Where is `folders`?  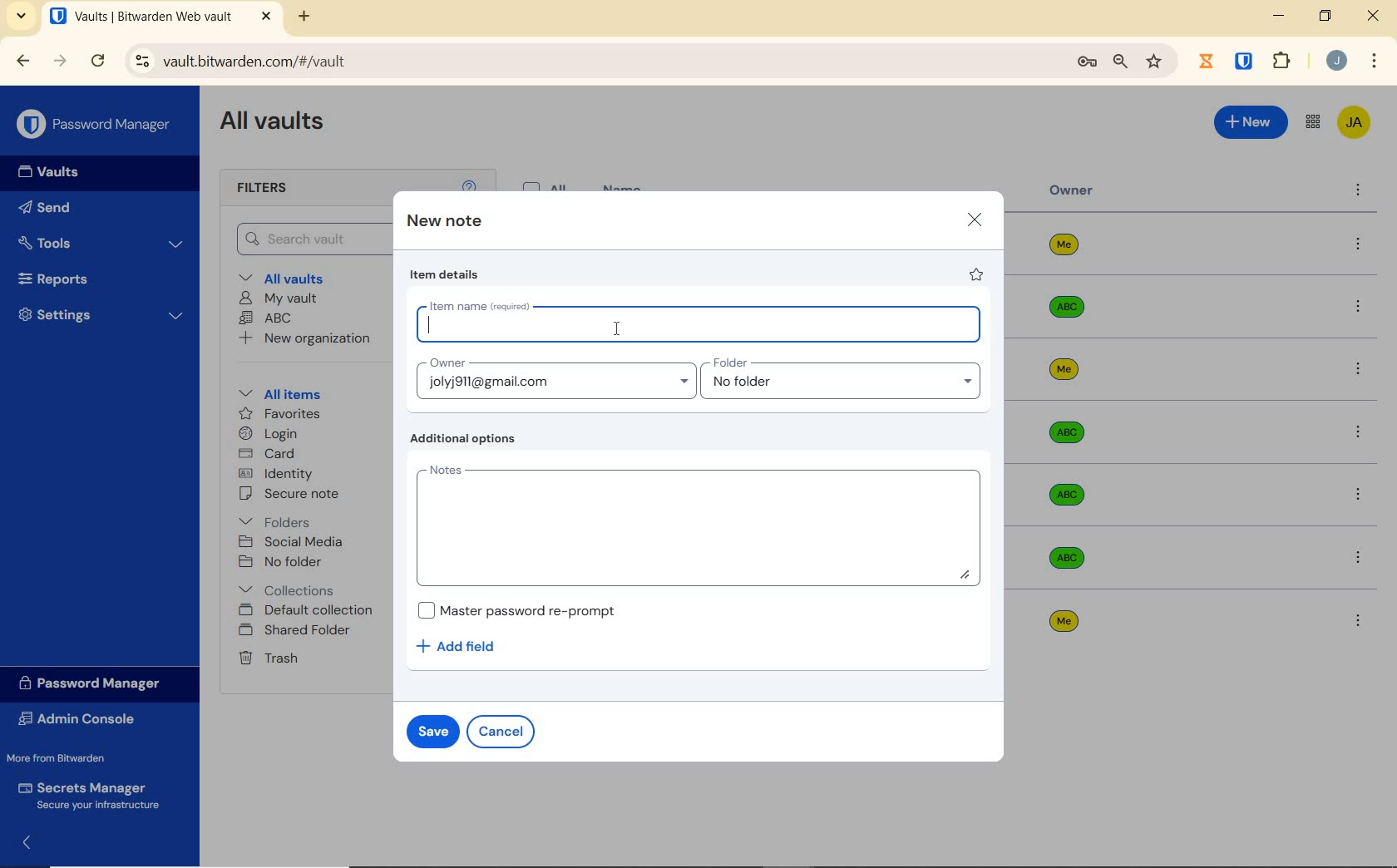 folders is located at coordinates (277, 522).